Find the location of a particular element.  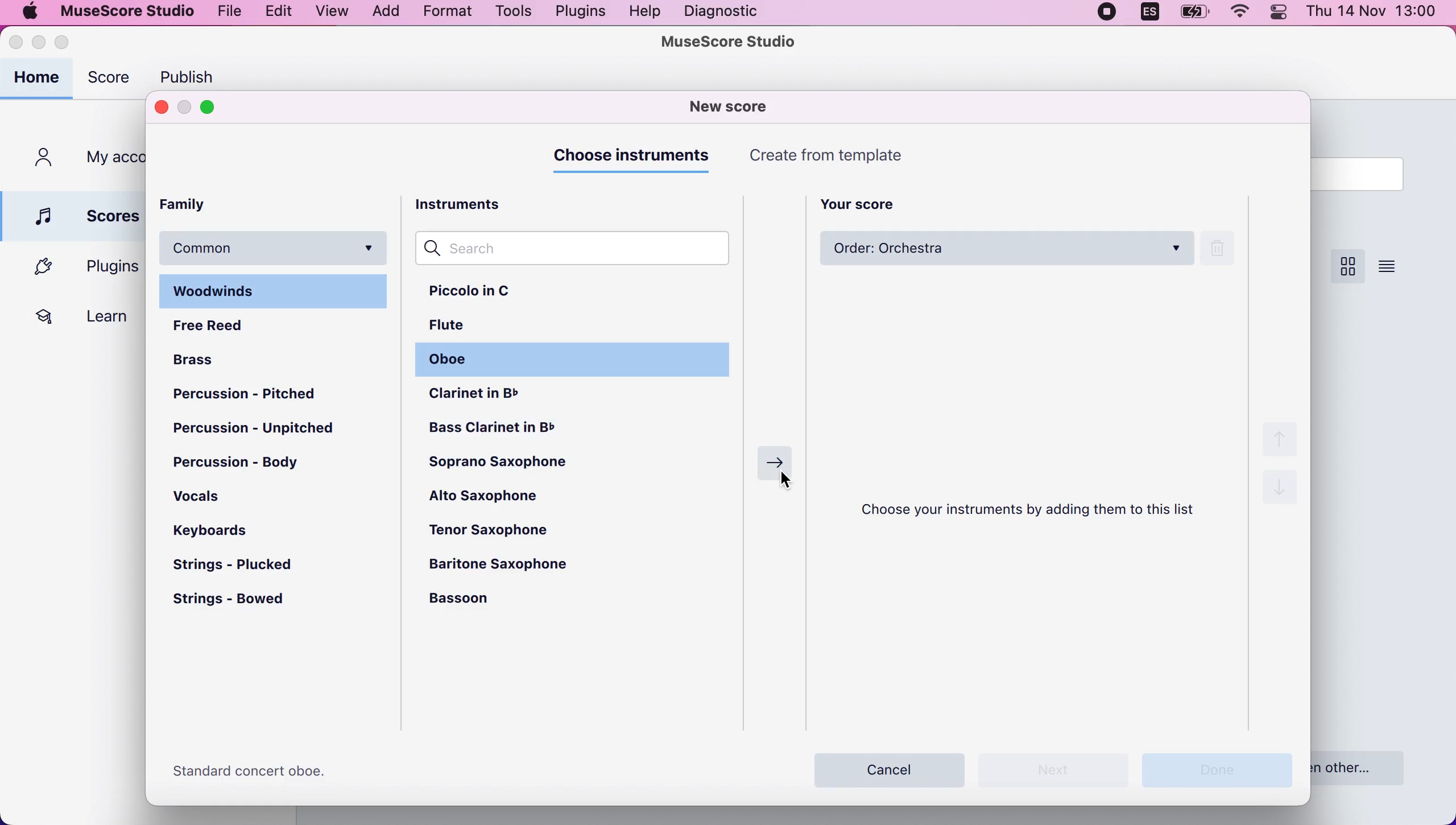

musescore studio is located at coordinates (731, 43).